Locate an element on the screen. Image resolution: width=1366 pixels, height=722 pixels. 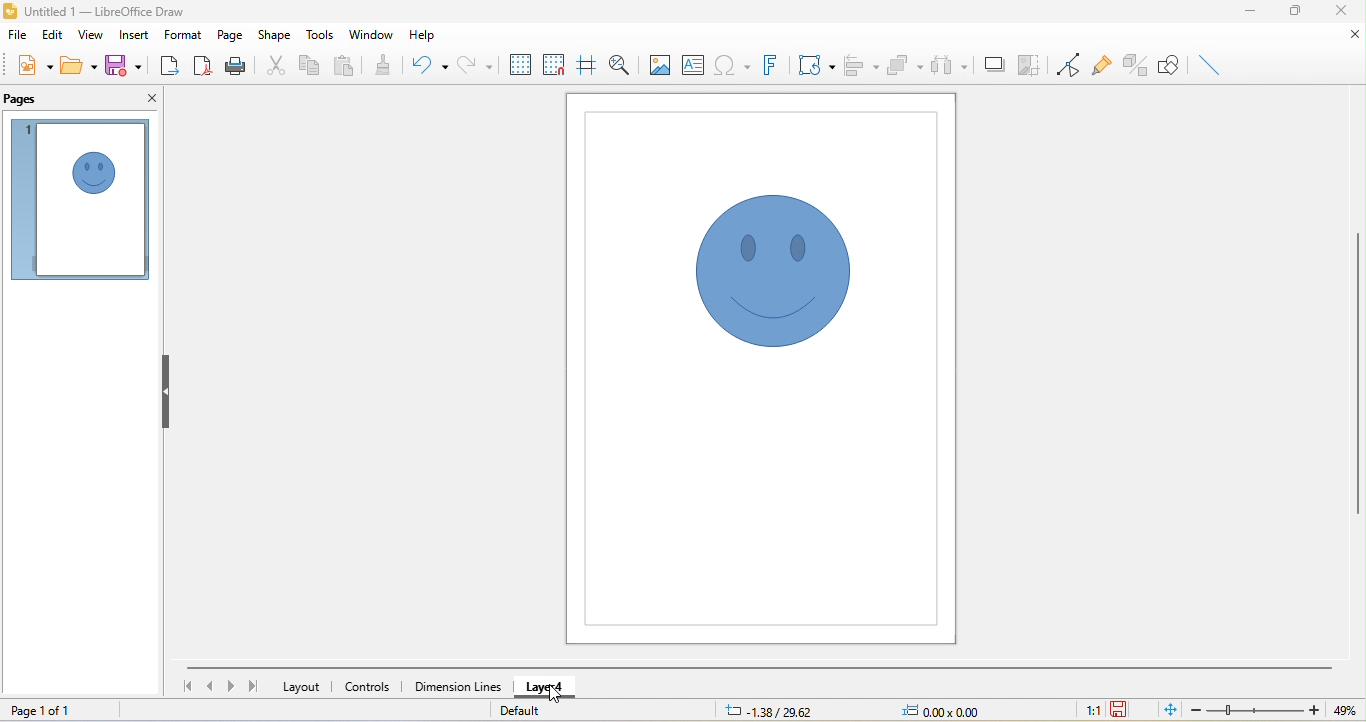
help is located at coordinates (421, 36).